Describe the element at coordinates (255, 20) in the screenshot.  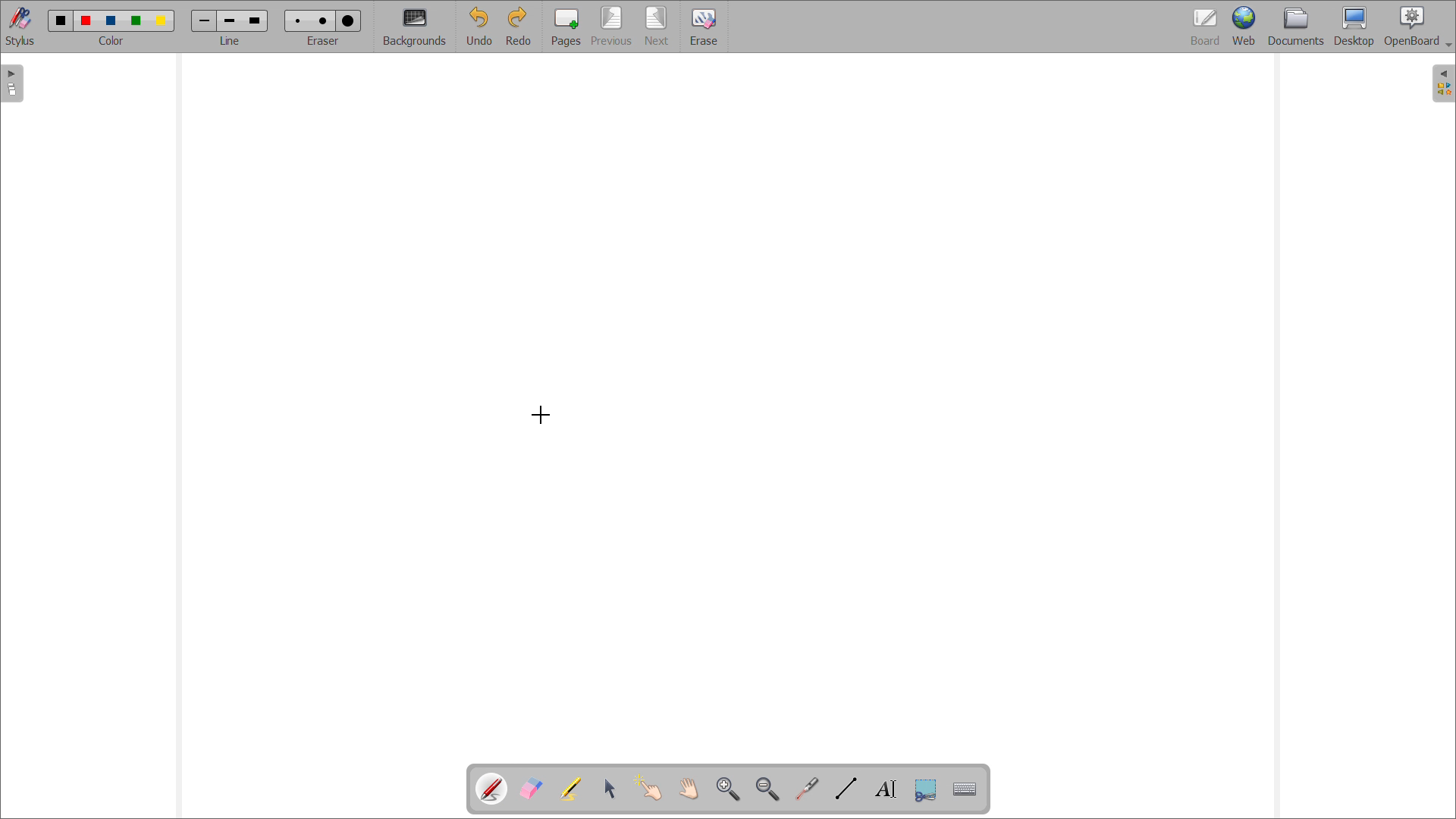
I see `line width size` at that location.